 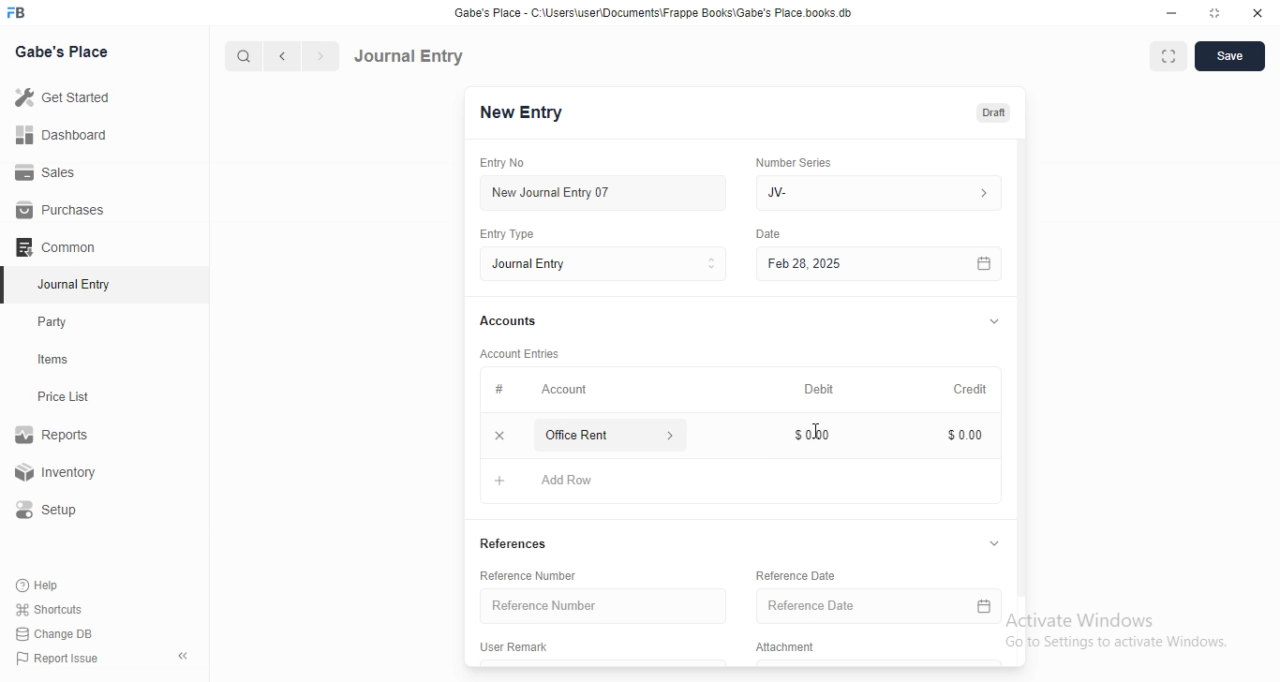 What do you see at coordinates (550, 193) in the screenshot?
I see `New Journal Entry 07` at bounding box center [550, 193].